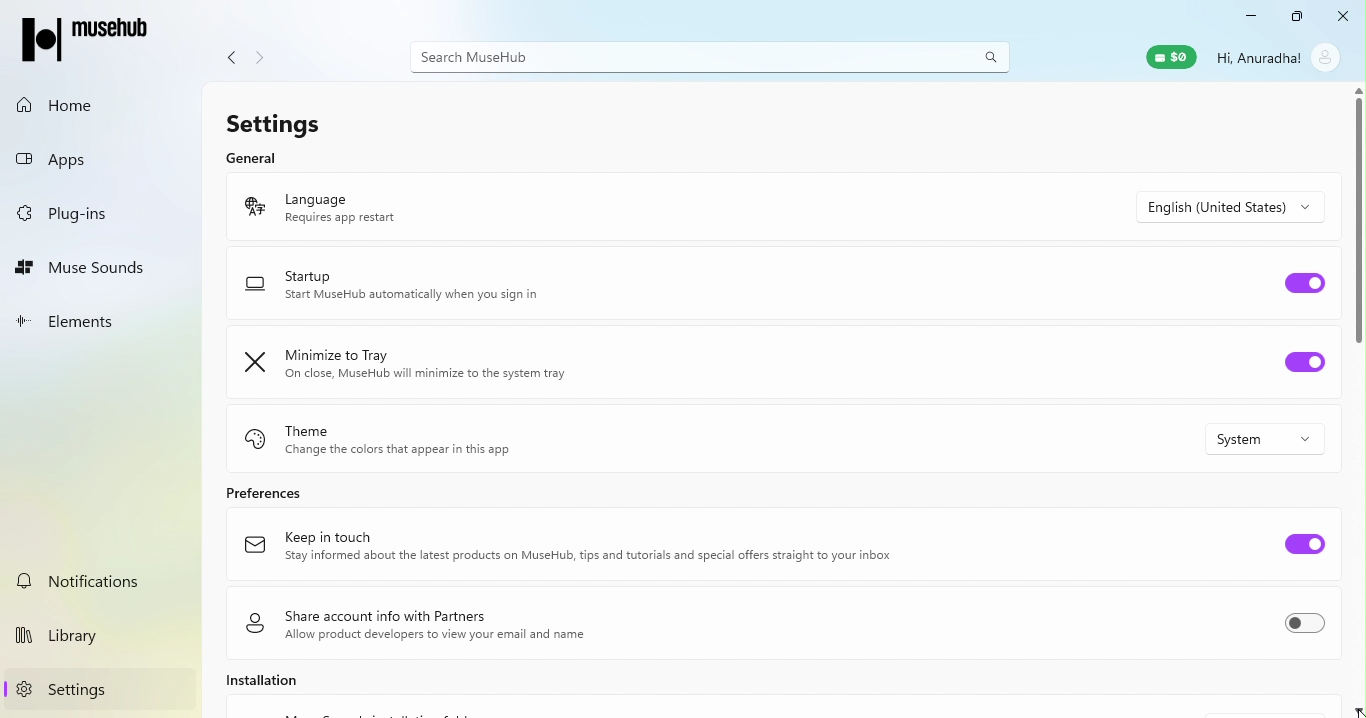  I want to click on Minimize, so click(1250, 16).